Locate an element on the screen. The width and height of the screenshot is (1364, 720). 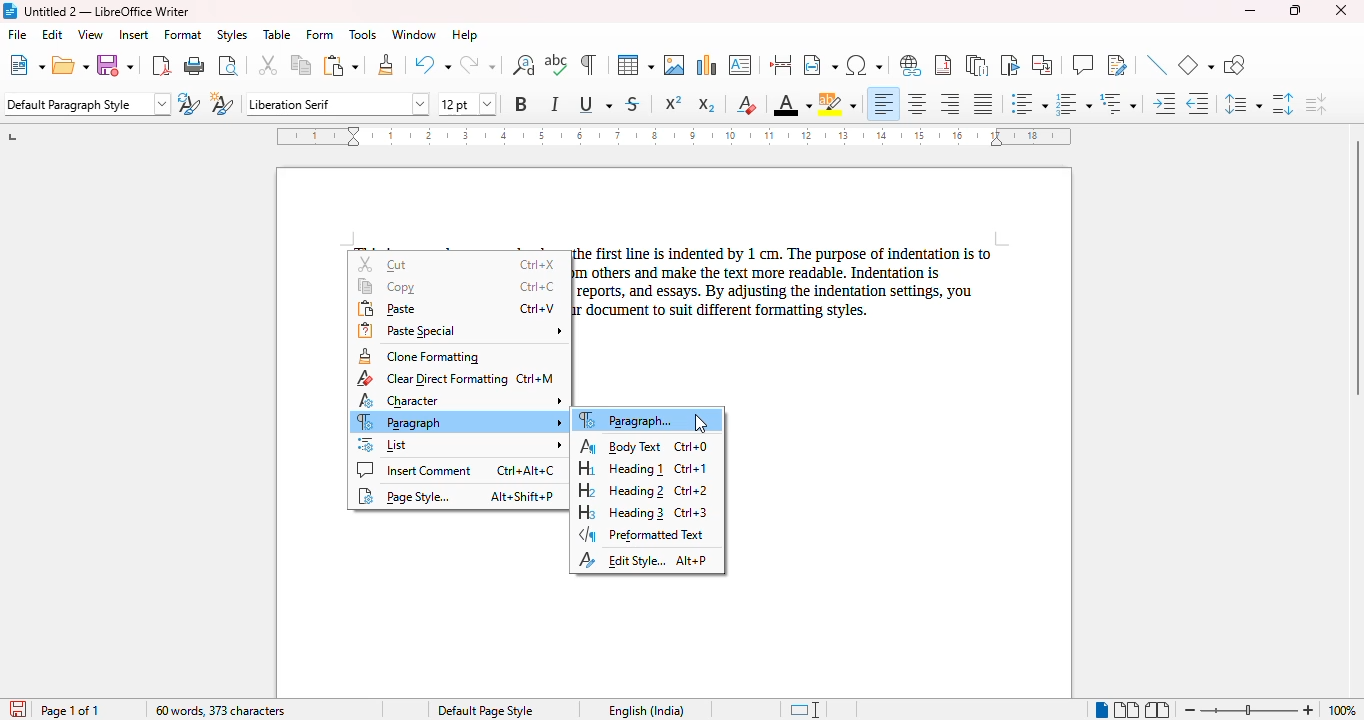
cut is located at coordinates (269, 65).